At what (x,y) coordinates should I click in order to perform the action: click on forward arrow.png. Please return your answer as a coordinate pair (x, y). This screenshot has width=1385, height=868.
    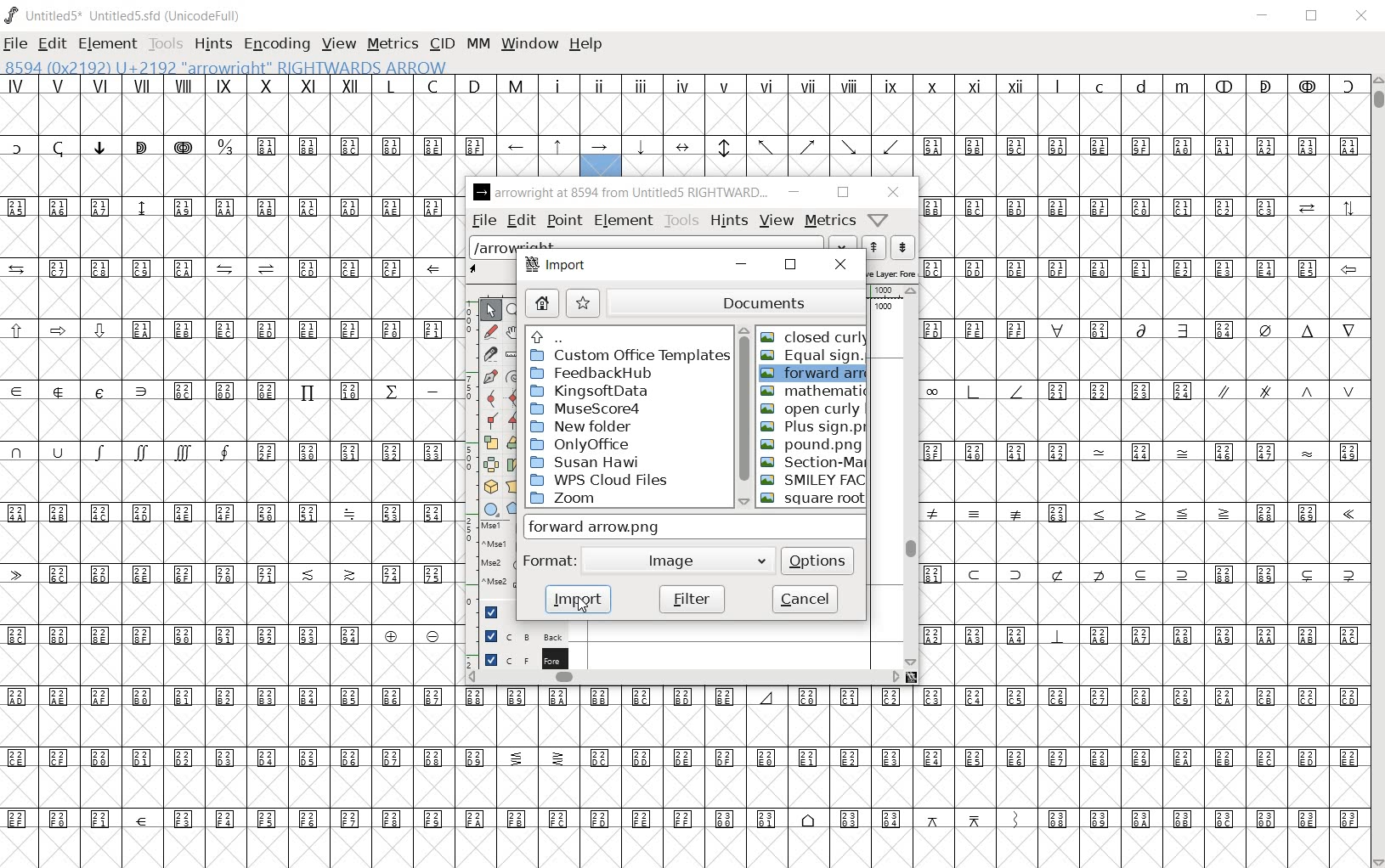
    Looking at the image, I should click on (815, 374).